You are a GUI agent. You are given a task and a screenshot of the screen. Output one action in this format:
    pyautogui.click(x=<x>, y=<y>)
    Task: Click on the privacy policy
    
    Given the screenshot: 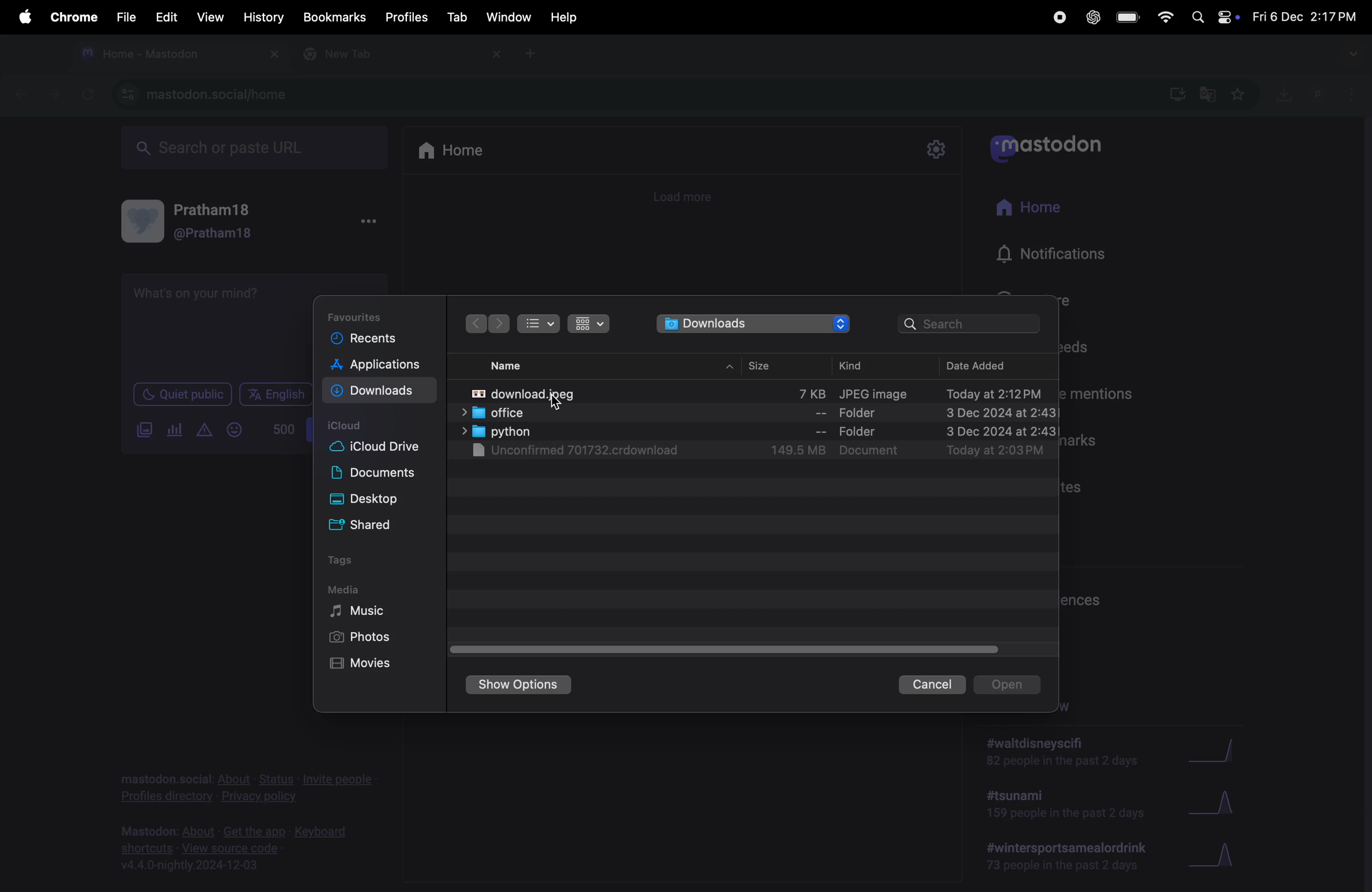 What is the action you would take?
    pyautogui.click(x=248, y=785)
    